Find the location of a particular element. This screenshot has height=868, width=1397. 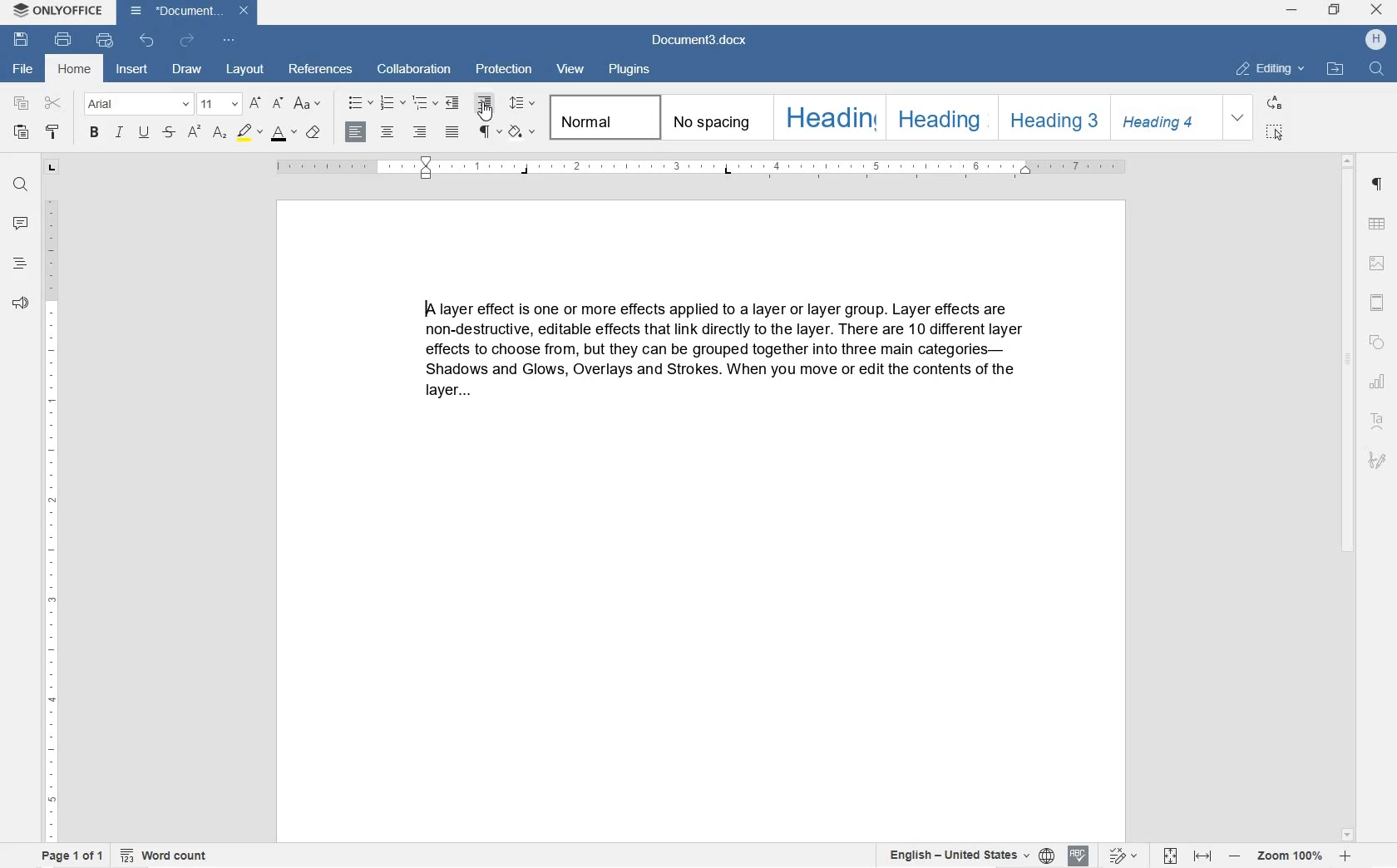

LAYOUT is located at coordinates (245, 70).